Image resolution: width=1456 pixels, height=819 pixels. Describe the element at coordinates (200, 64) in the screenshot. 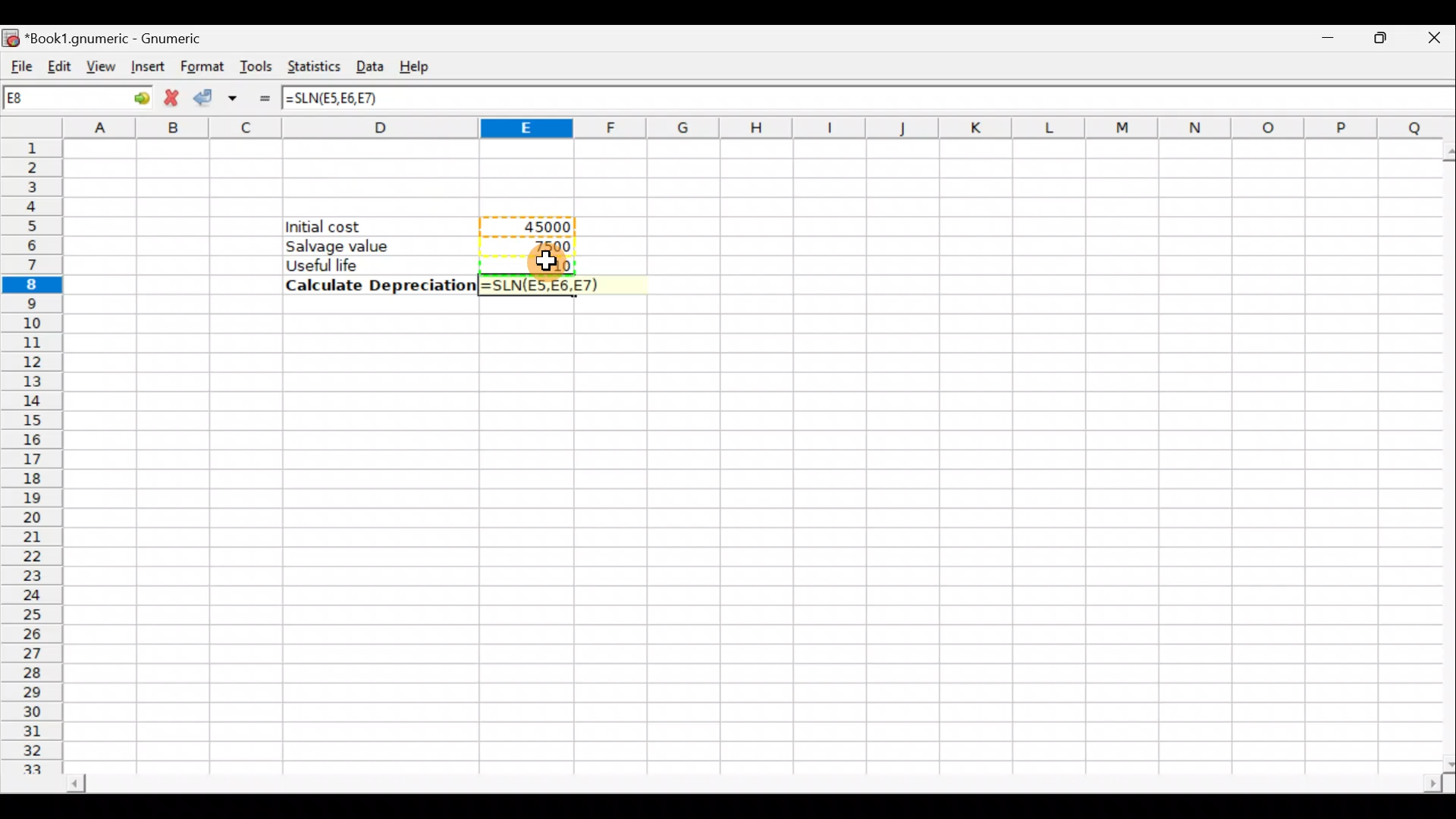

I see `Format` at that location.